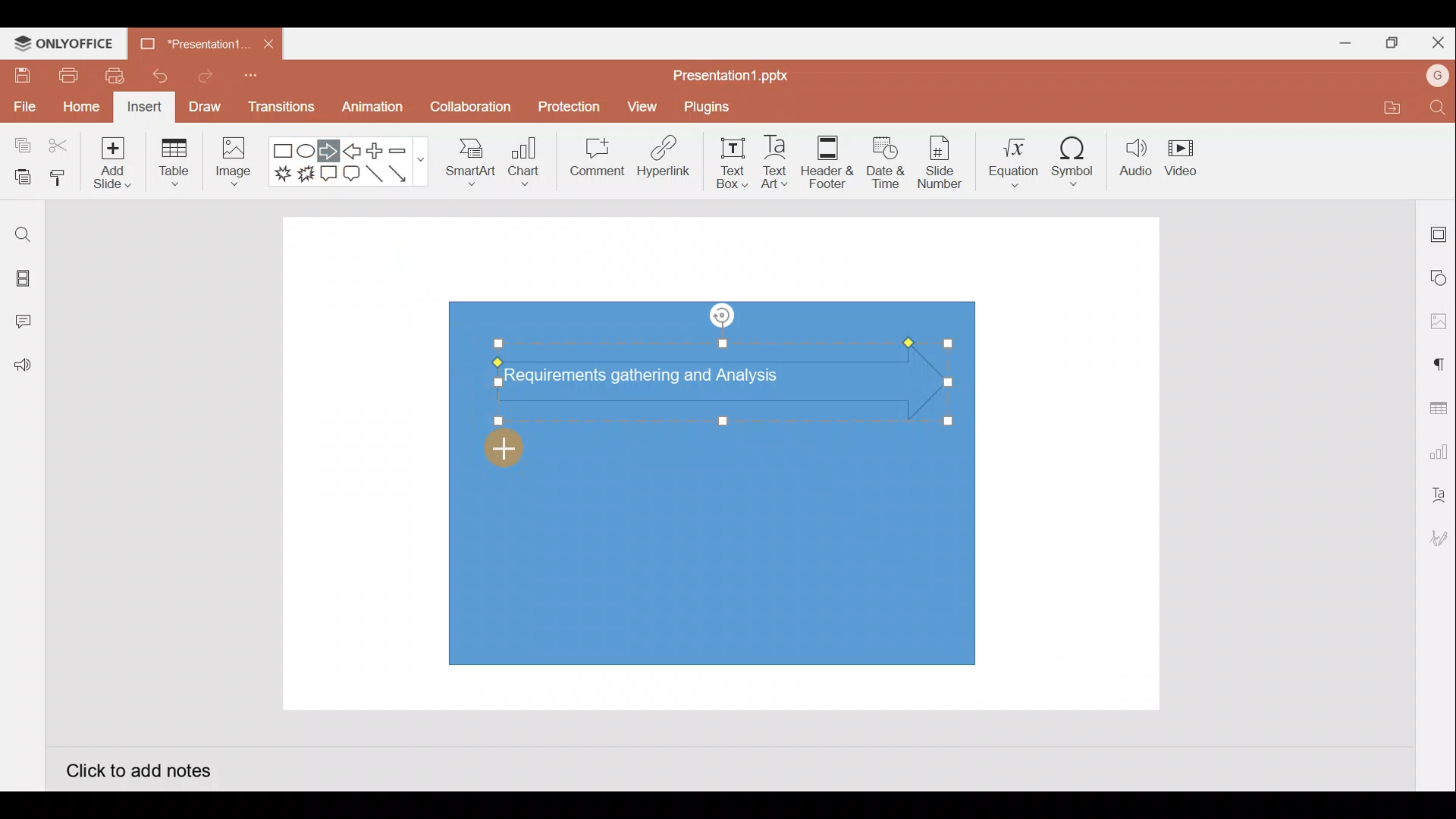 The height and width of the screenshot is (819, 1456). What do you see at coordinates (660, 158) in the screenshot?
I see `Hyperlink` at bounding box center [660, 158].